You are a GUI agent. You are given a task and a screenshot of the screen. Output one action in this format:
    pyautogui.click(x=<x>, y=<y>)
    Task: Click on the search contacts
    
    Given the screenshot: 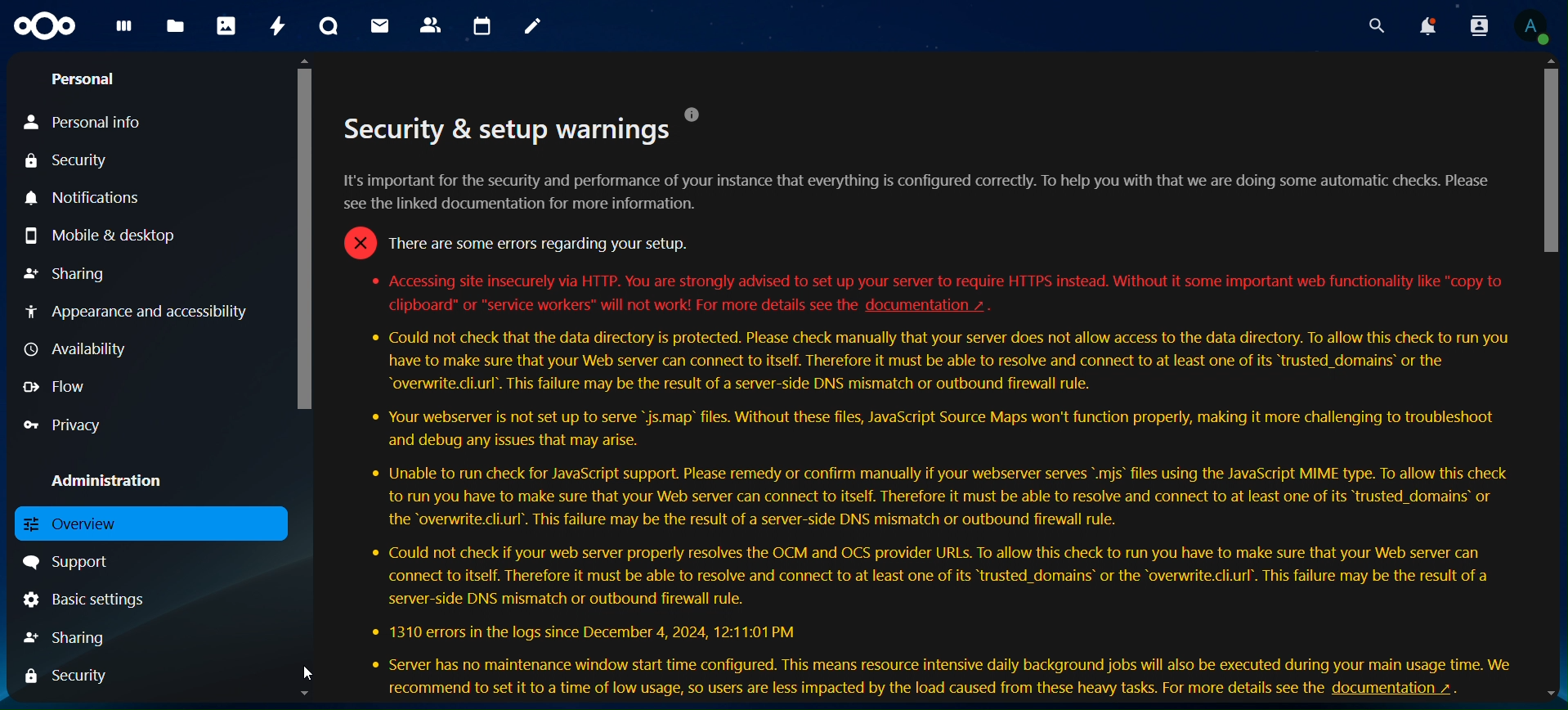 What is the action you would take?
    pyautogui.click(x=1474, y=25)
    